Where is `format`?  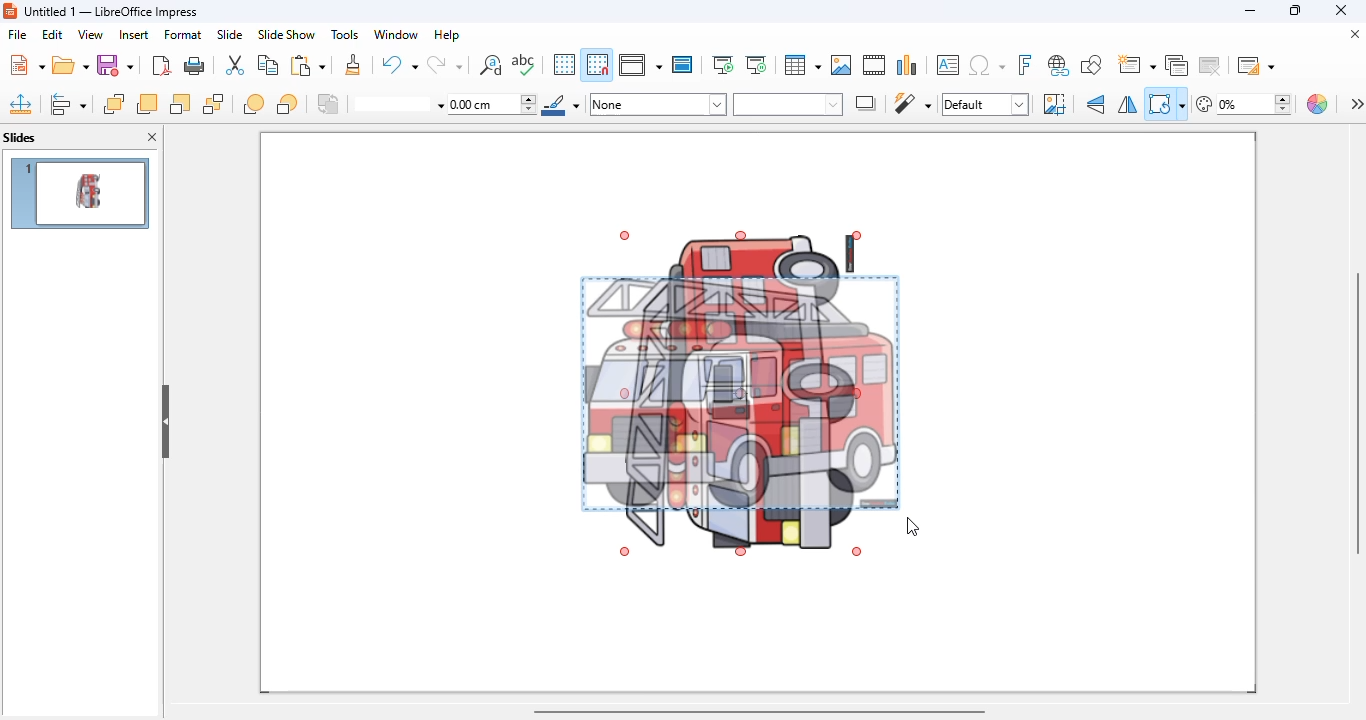
format is located at coordinates (183, 34).